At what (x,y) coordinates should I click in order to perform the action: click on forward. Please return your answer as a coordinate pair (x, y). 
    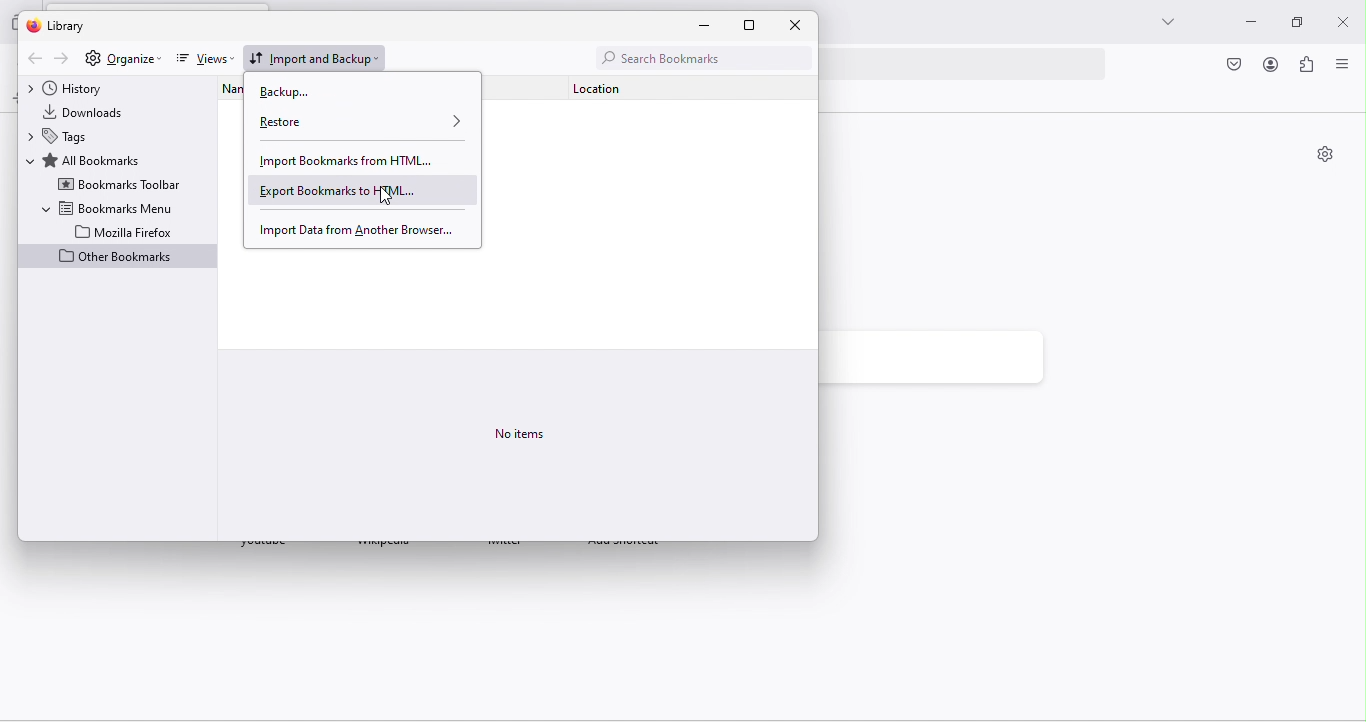
    Looking at the image, I should click on (63, 59).